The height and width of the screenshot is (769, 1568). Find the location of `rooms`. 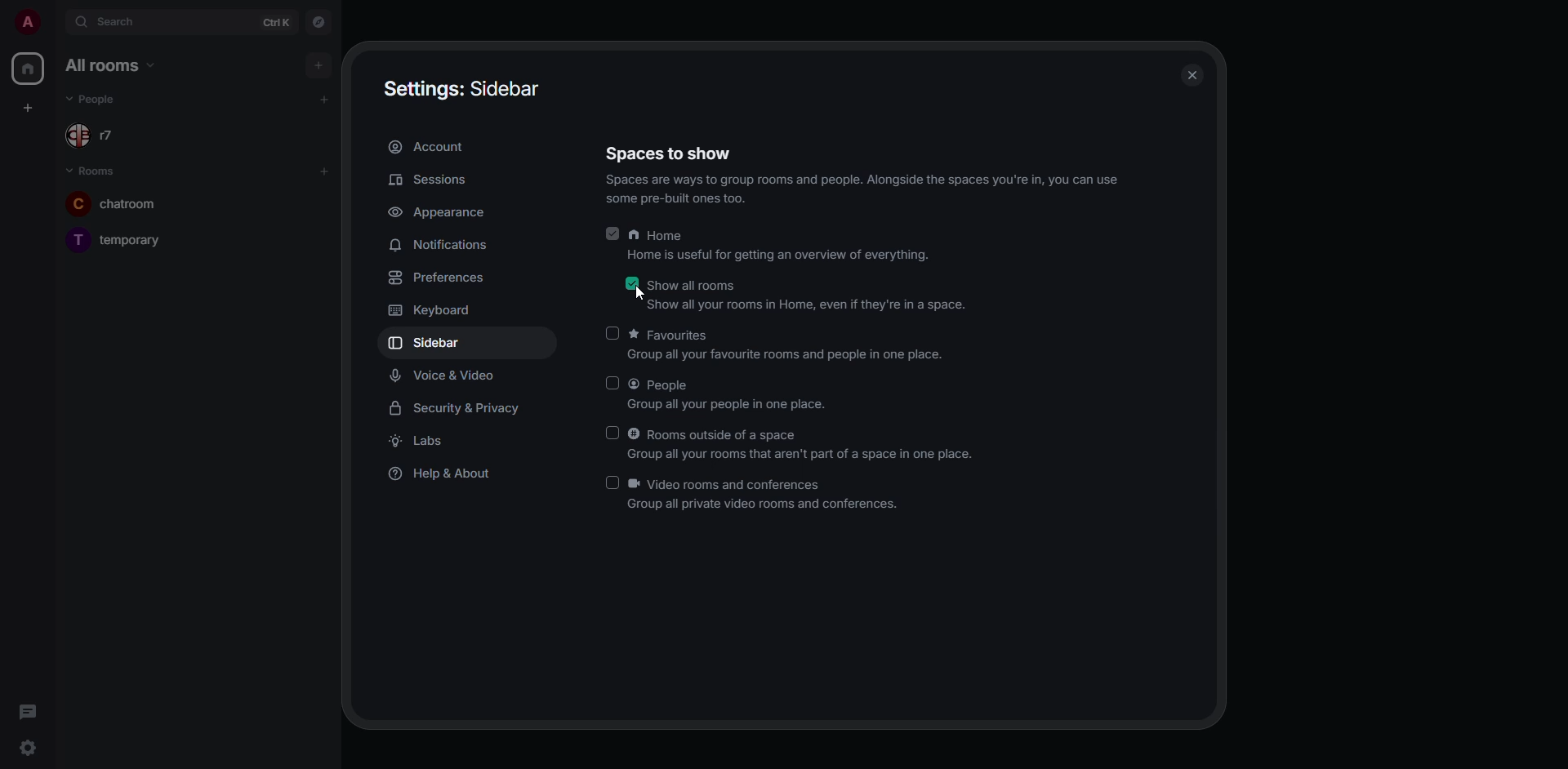

rooms is located at coordinates (99, 171).